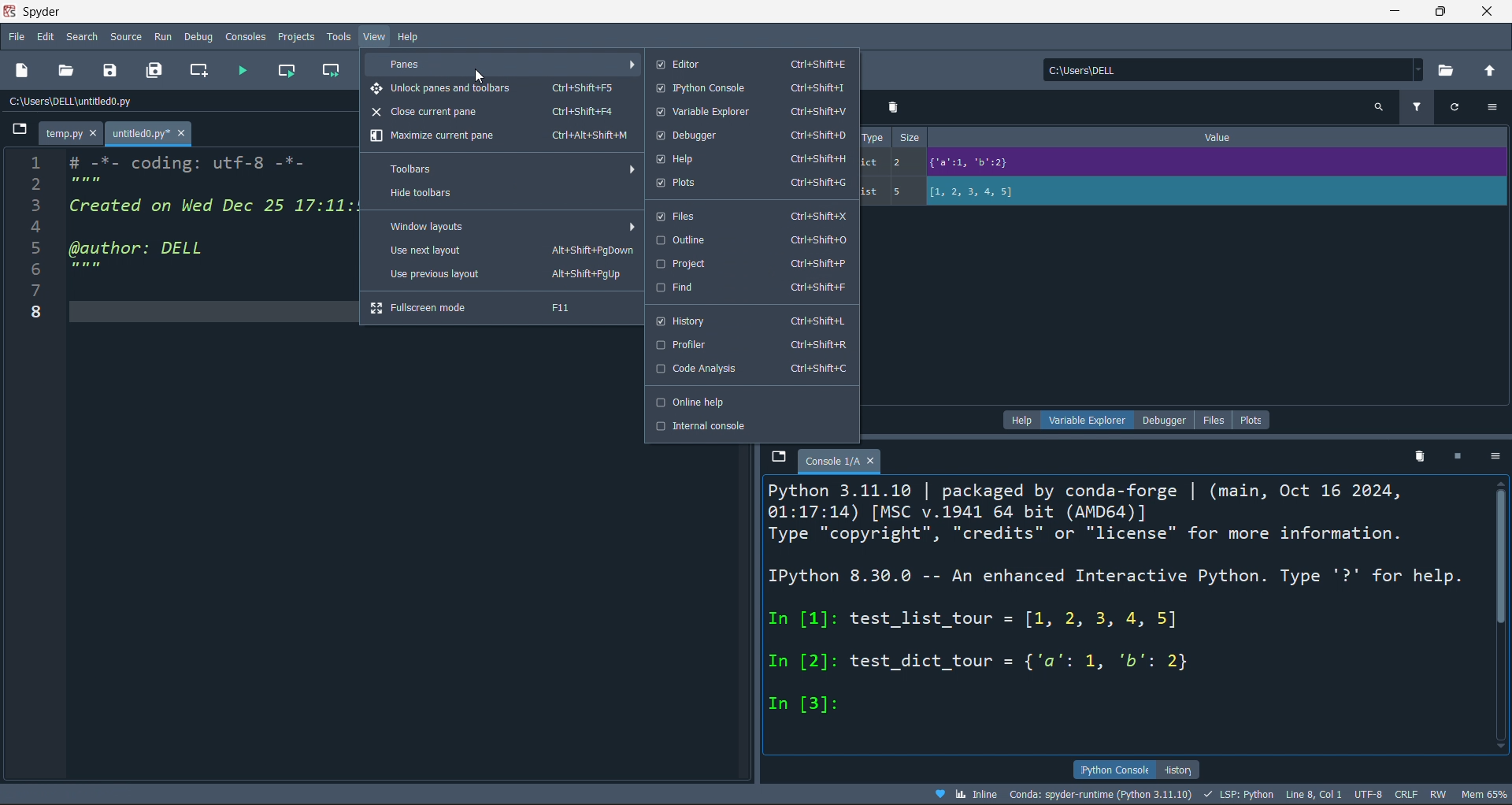 This screenshot has width=1512, height=805. Describe the element at coordinates (1494, 70) in the screenshot. I see `open parent directory` at that location.